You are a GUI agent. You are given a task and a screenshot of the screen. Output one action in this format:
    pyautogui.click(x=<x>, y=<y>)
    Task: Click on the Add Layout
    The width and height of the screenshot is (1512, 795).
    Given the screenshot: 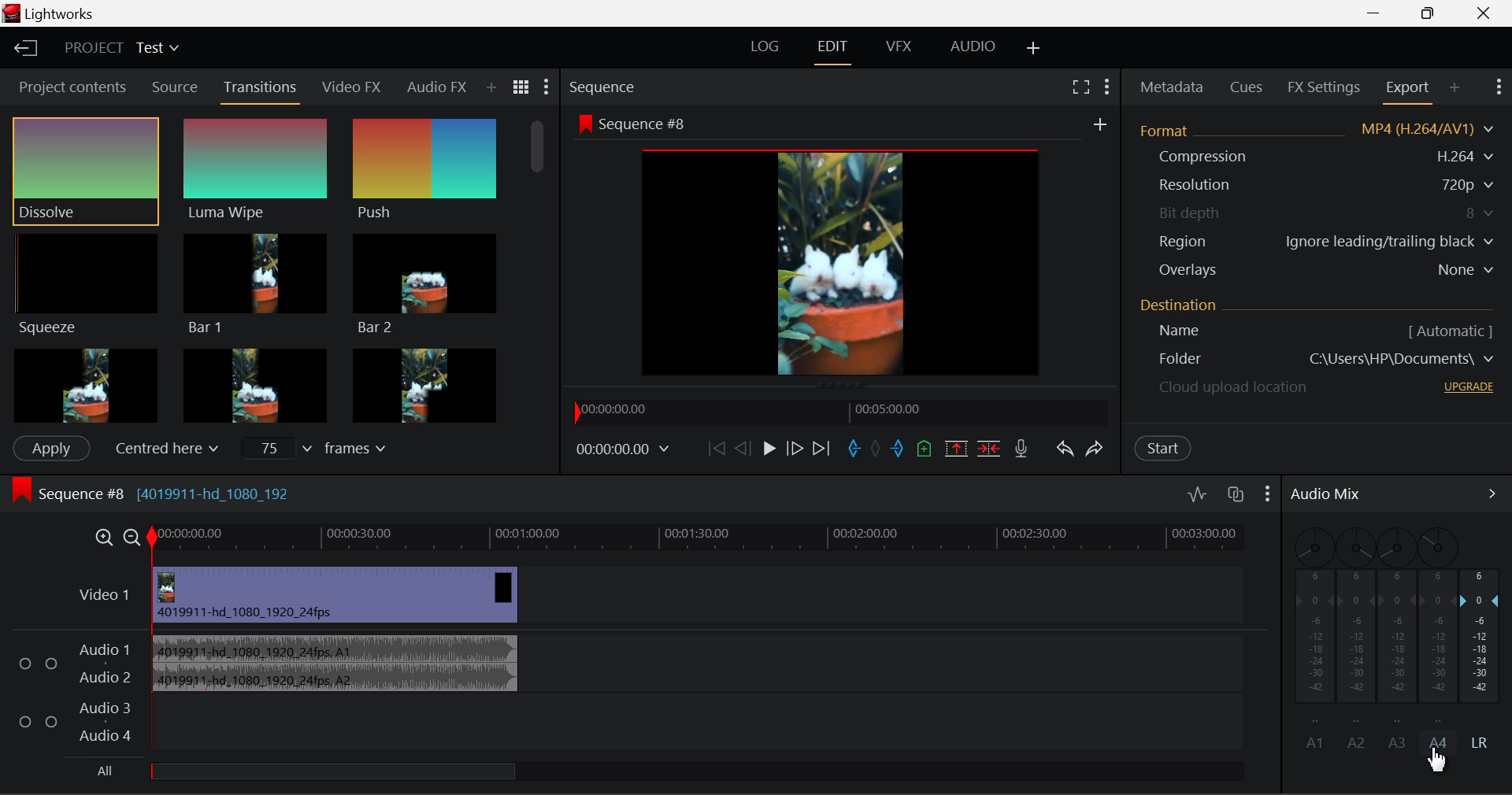 What is the action you would take?
    pyautogui.click(x=1034, y=46)
    